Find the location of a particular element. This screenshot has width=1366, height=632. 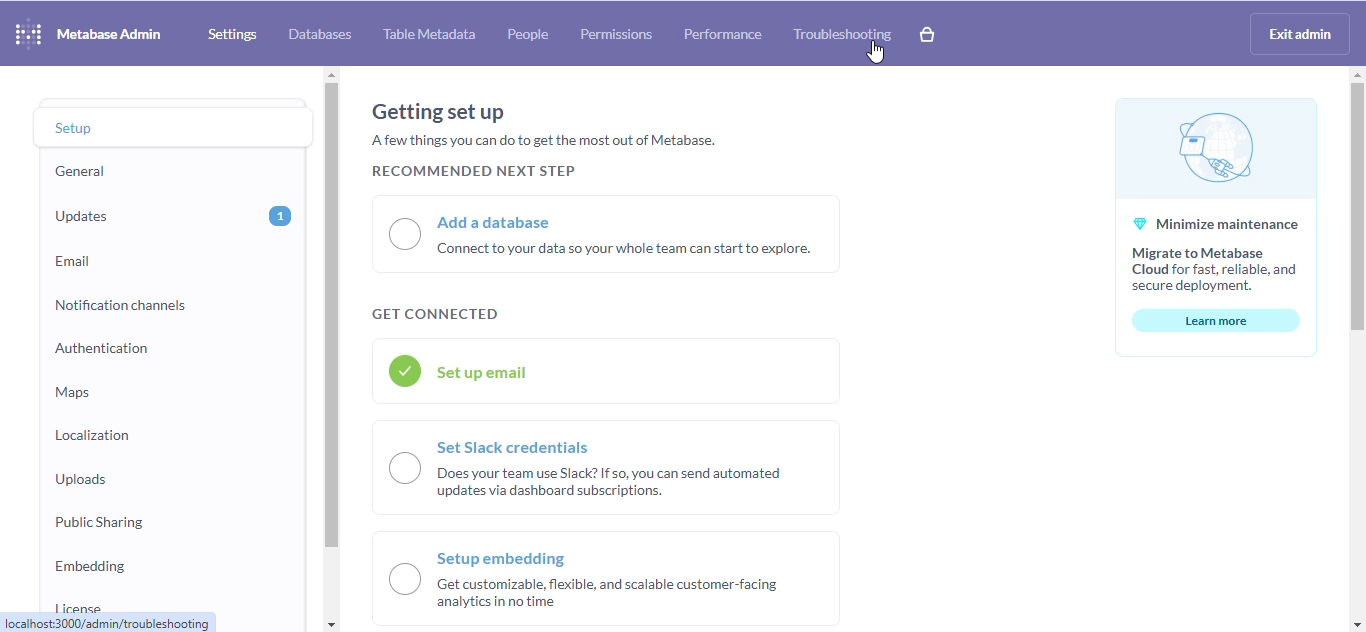

localization is located at coordinates (93, 434).